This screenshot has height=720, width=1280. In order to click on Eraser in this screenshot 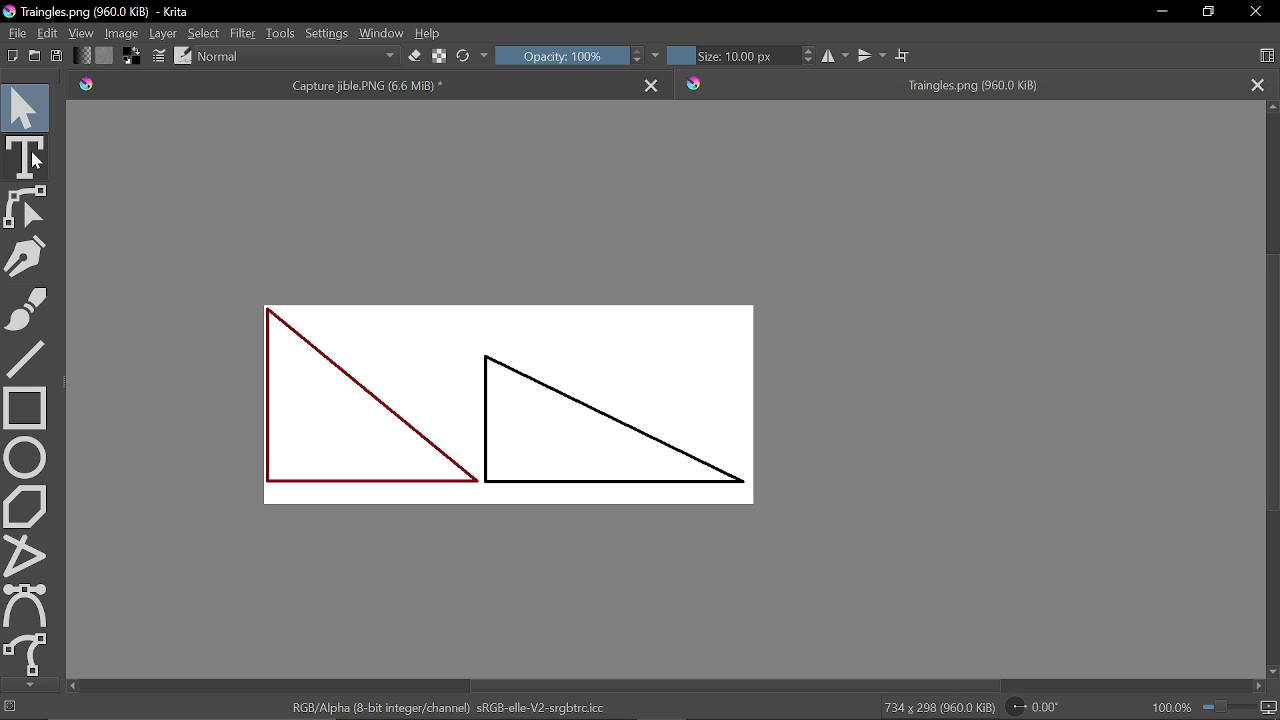, I will do `click(412, 57)`.